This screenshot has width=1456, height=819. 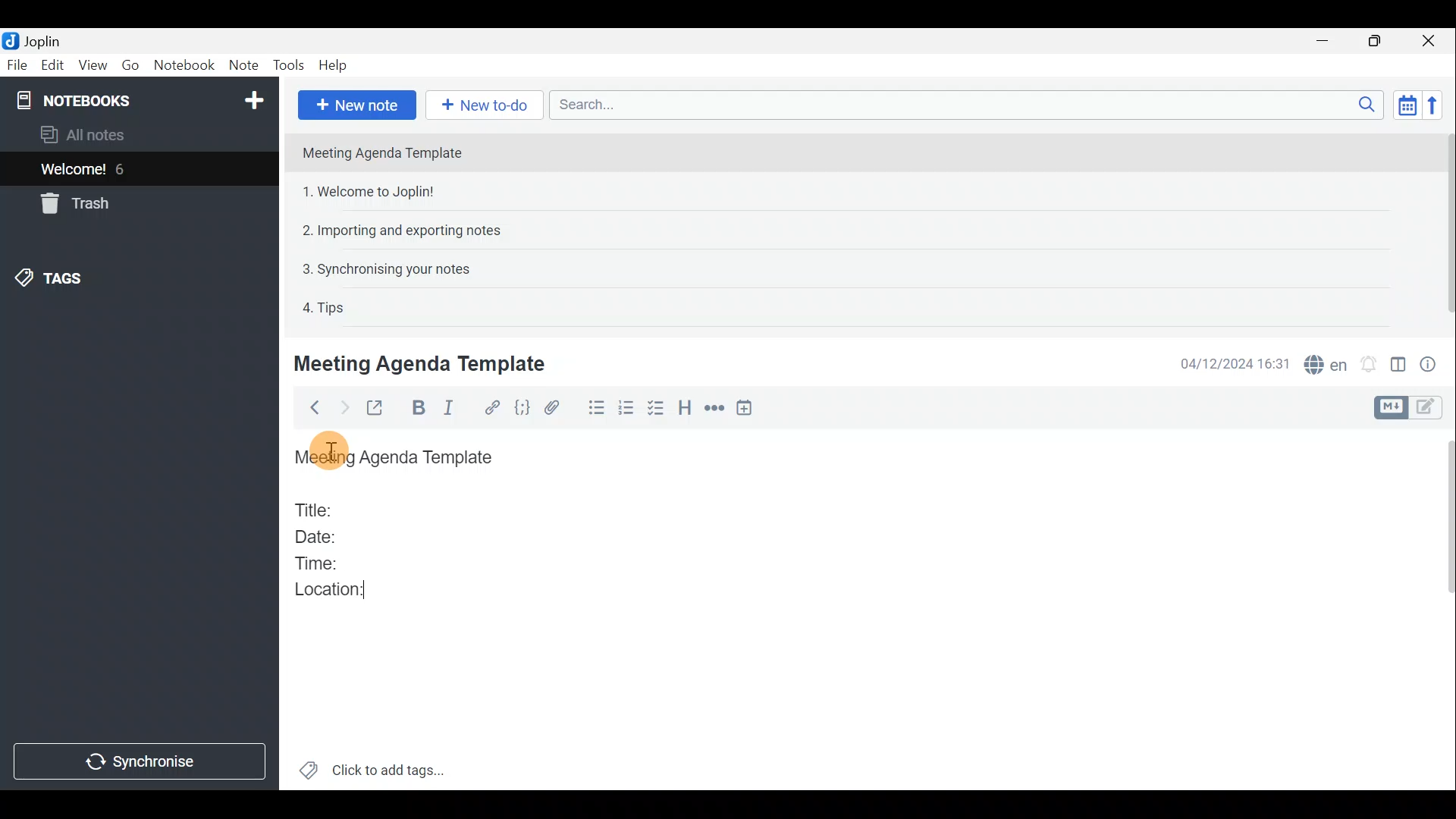 I want to click on Heading, so click(x=684, y=411).